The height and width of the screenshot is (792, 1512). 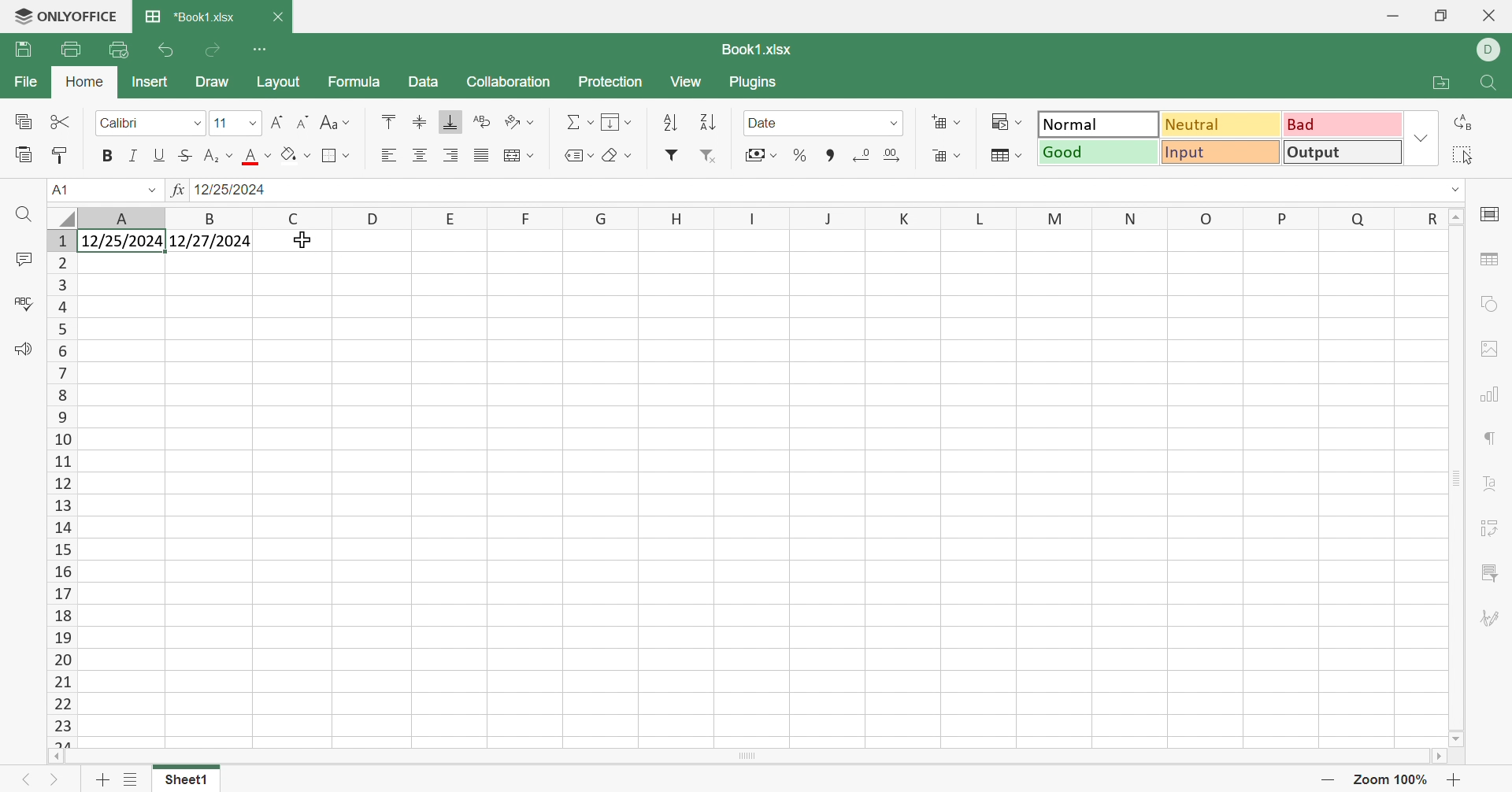 What do you see at coordinates (1490, 83) in the screenshot?
I see `Find` at bounding box center [1490, 83].